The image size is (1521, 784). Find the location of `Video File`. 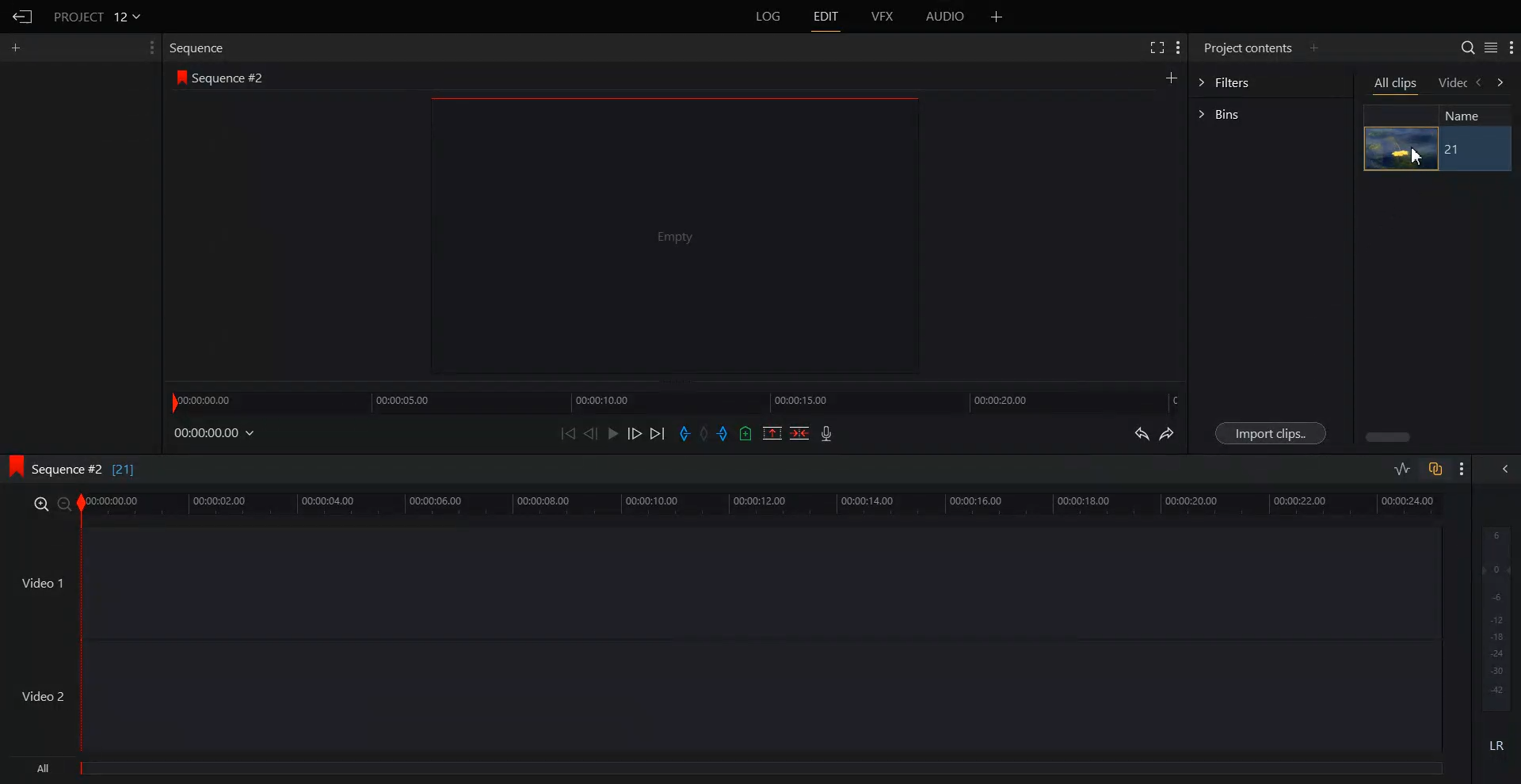

Video File is located at coordinates (1401, 149).